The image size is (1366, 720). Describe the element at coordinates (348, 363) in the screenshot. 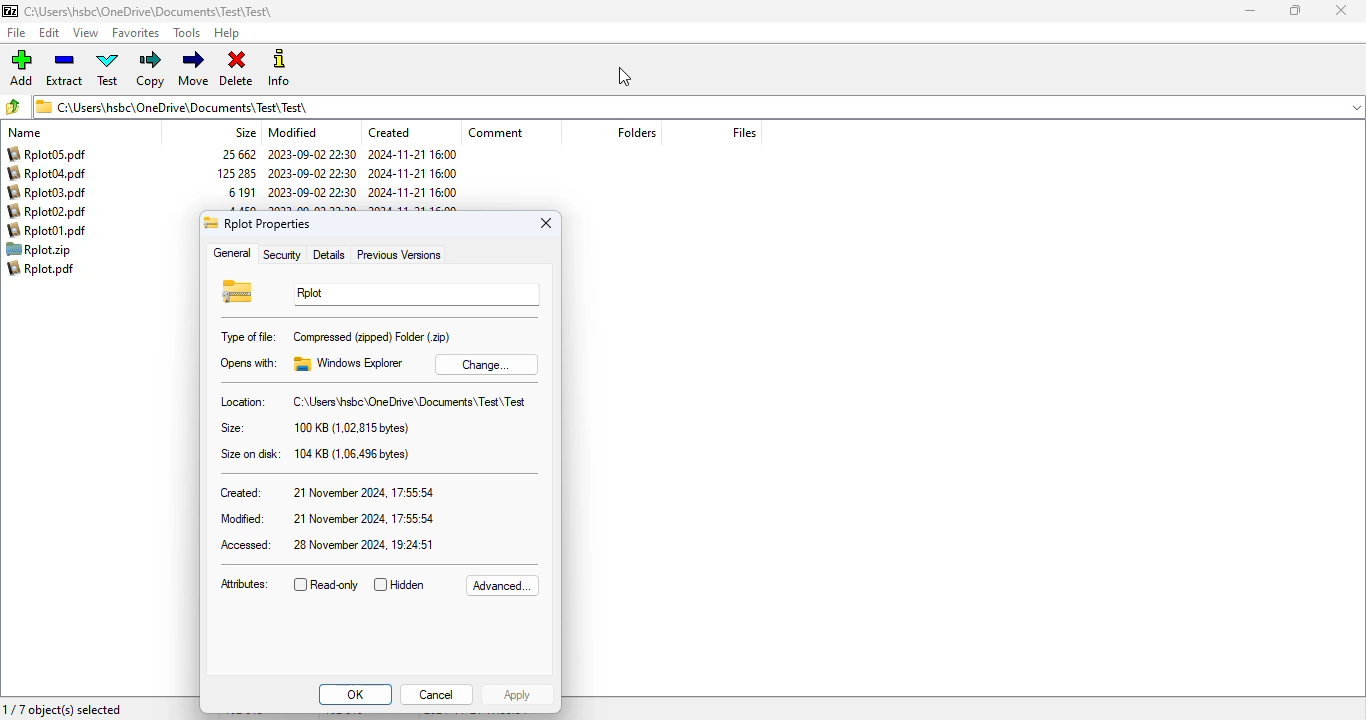

I see `windows explorer` at that location.